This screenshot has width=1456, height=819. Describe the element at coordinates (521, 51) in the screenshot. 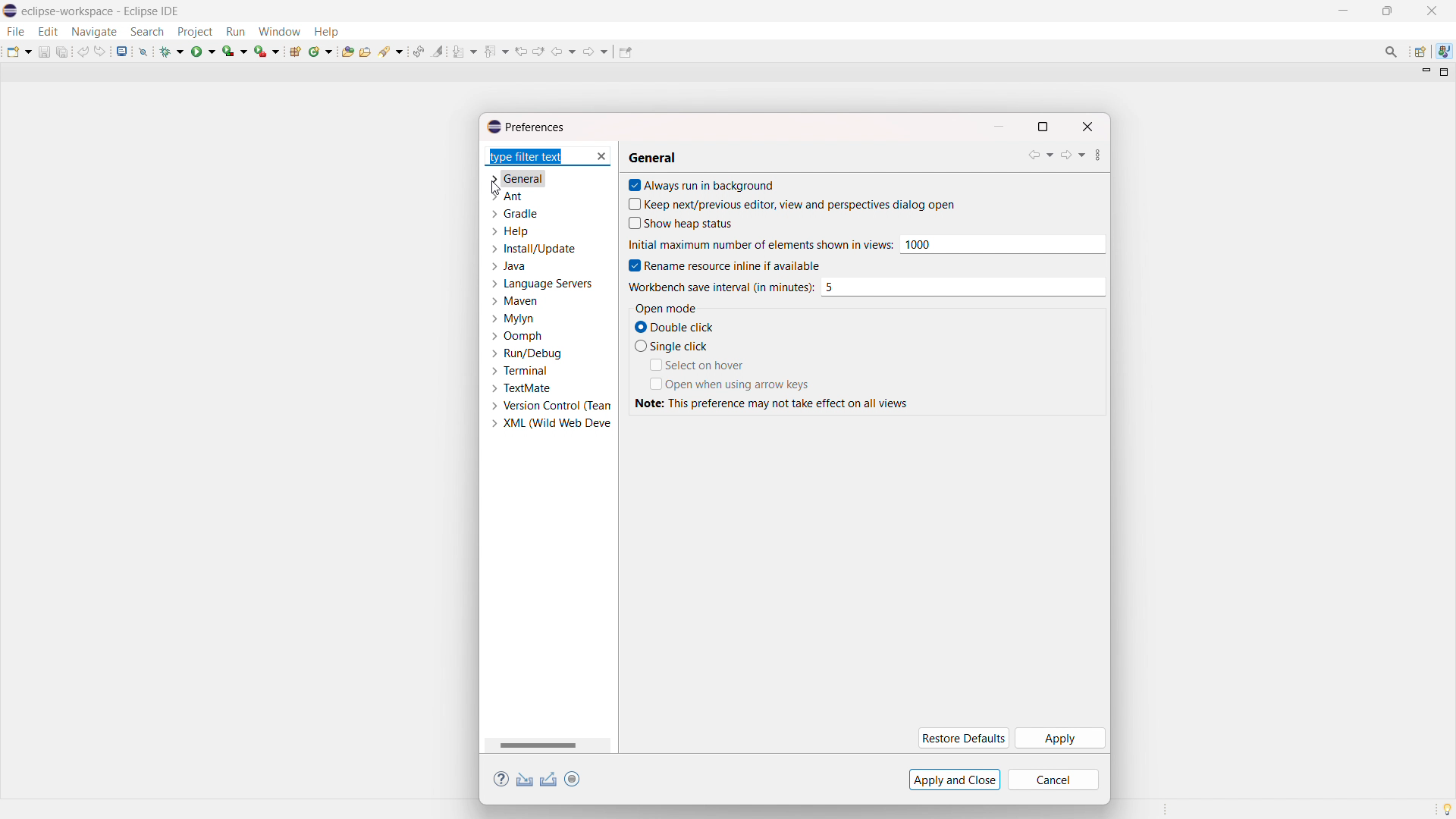

I see `view previous location` at that location.